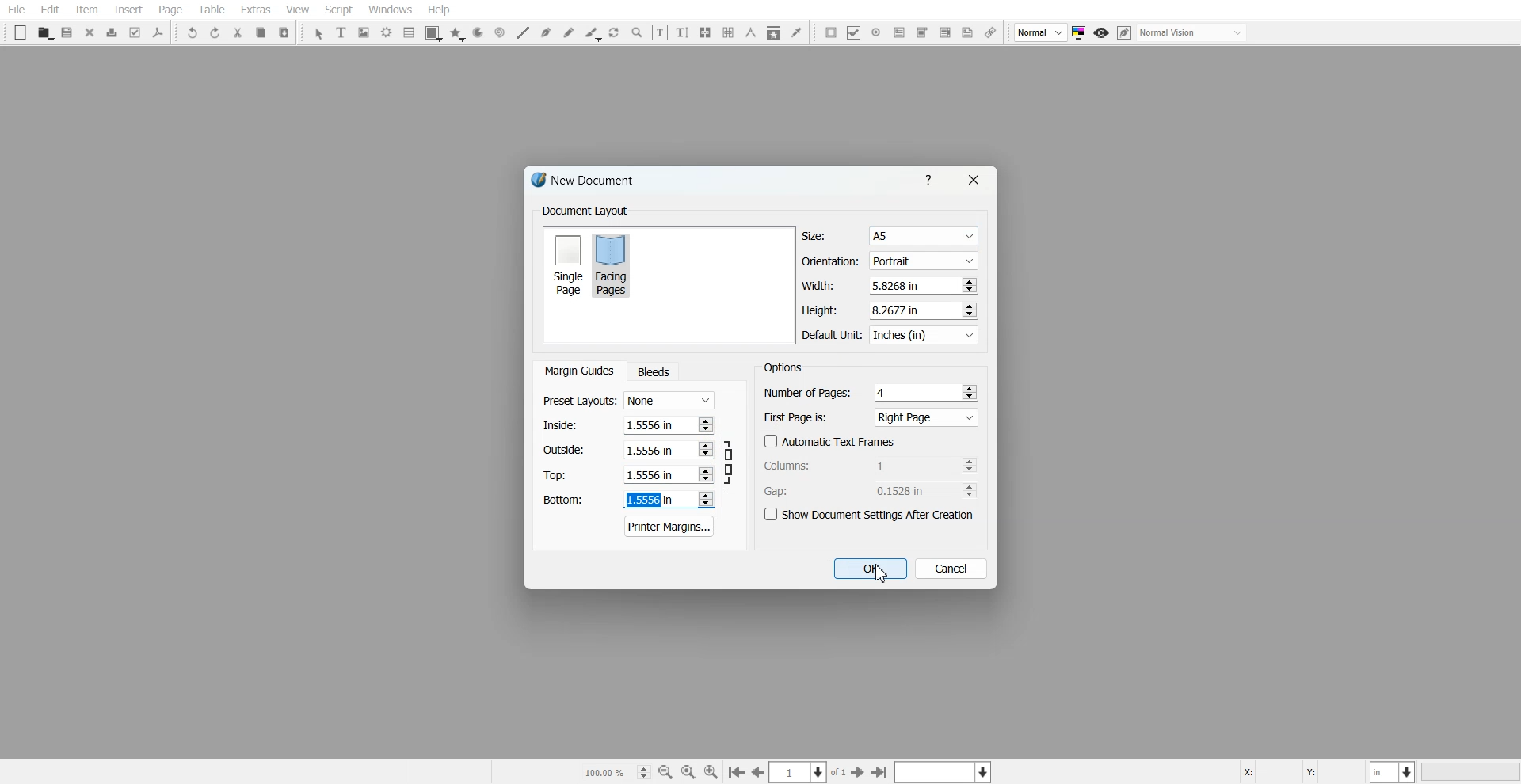  I want to click on Margin Guides, so click(578, 371).